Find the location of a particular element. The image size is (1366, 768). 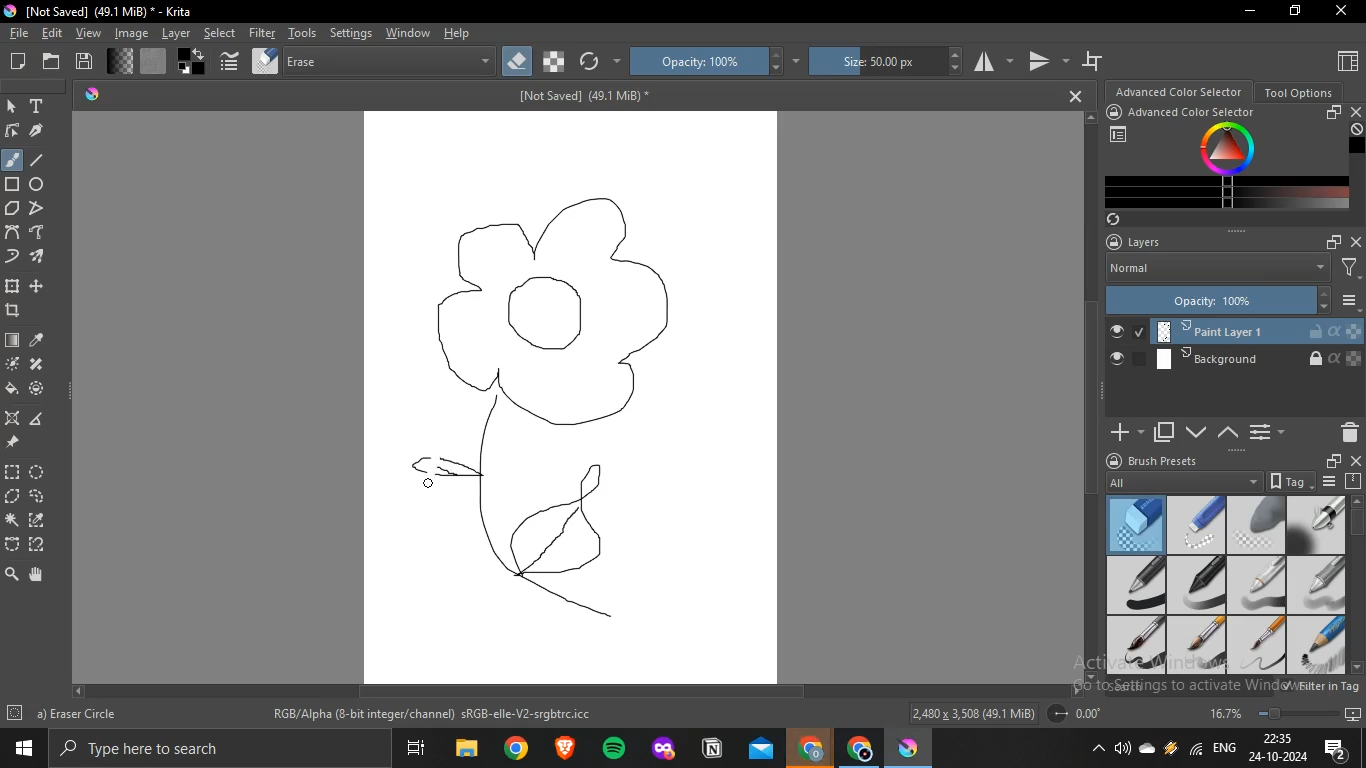

line tool is located at coordinates (43, 160).